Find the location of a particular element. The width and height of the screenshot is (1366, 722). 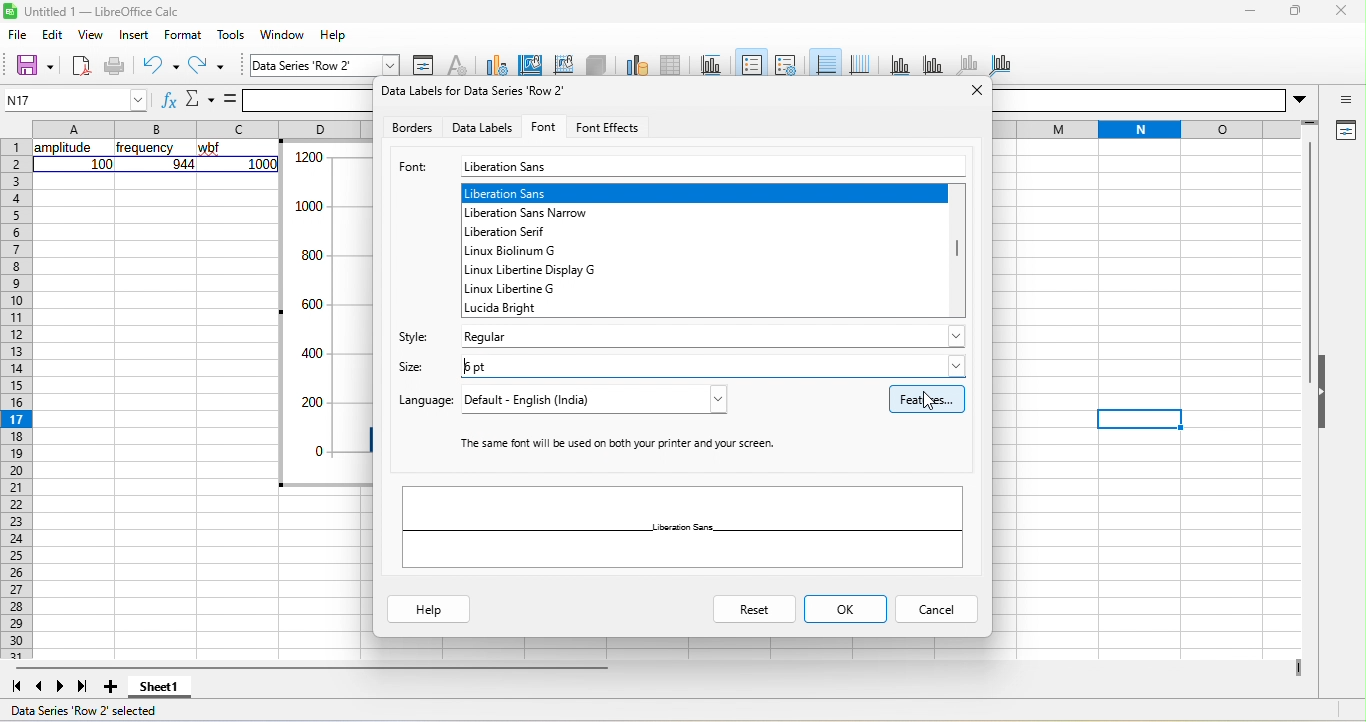

features is located at coordinates (926, 401).